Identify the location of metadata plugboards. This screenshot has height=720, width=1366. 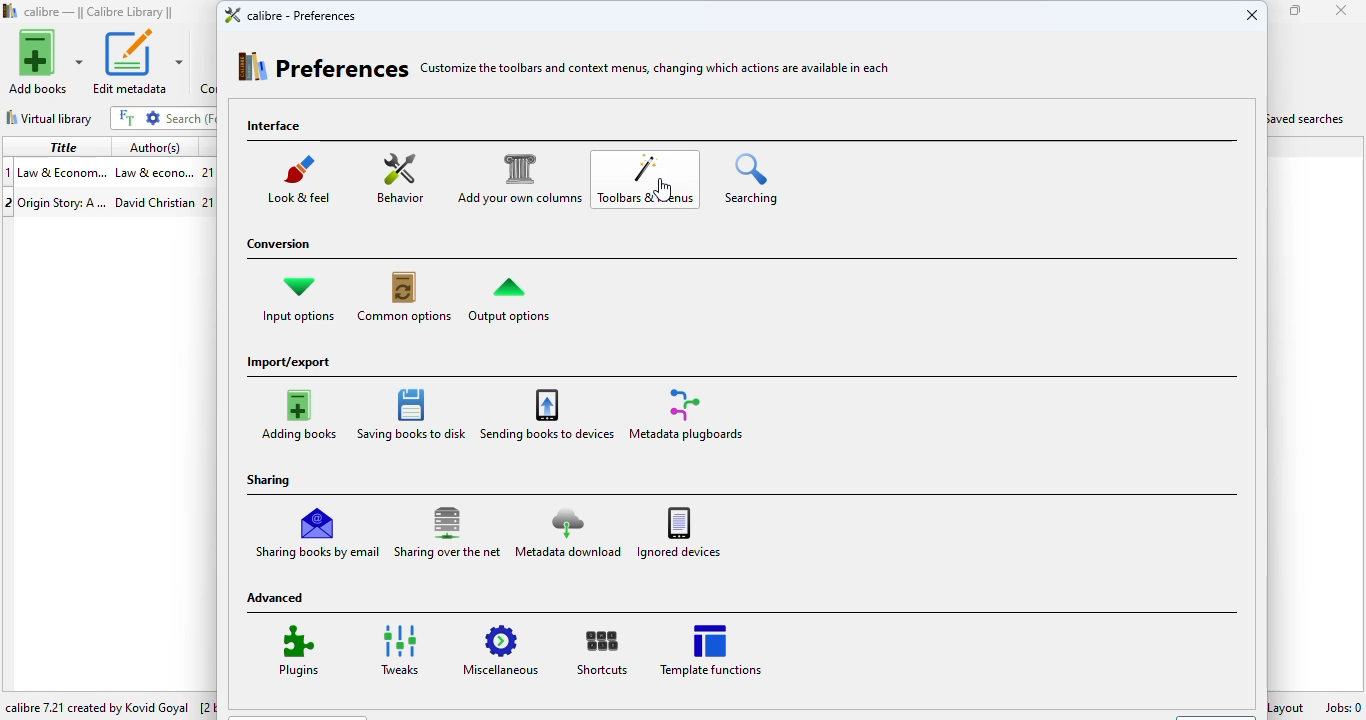
(684, 413).